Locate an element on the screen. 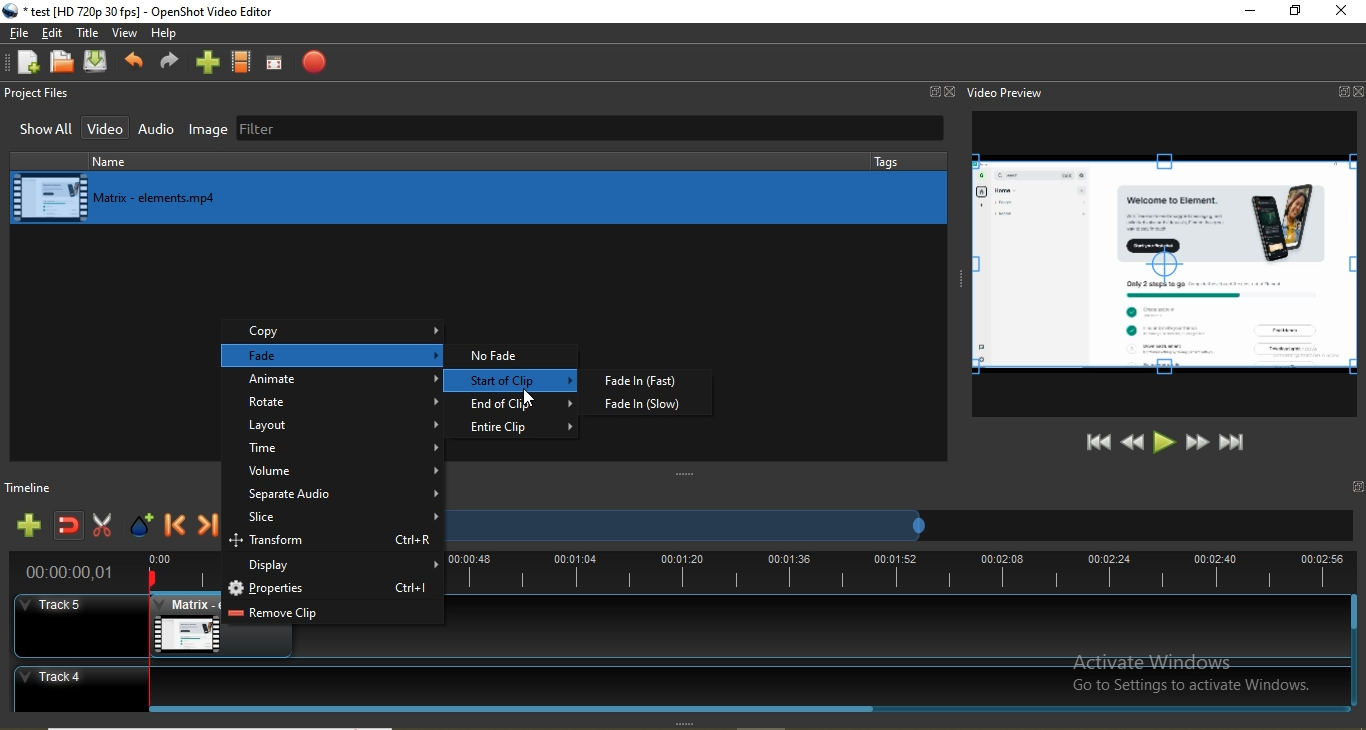 Image resolution: width=1366 pixels, height=730 pixels. window is located at coordinates (1357, 487).